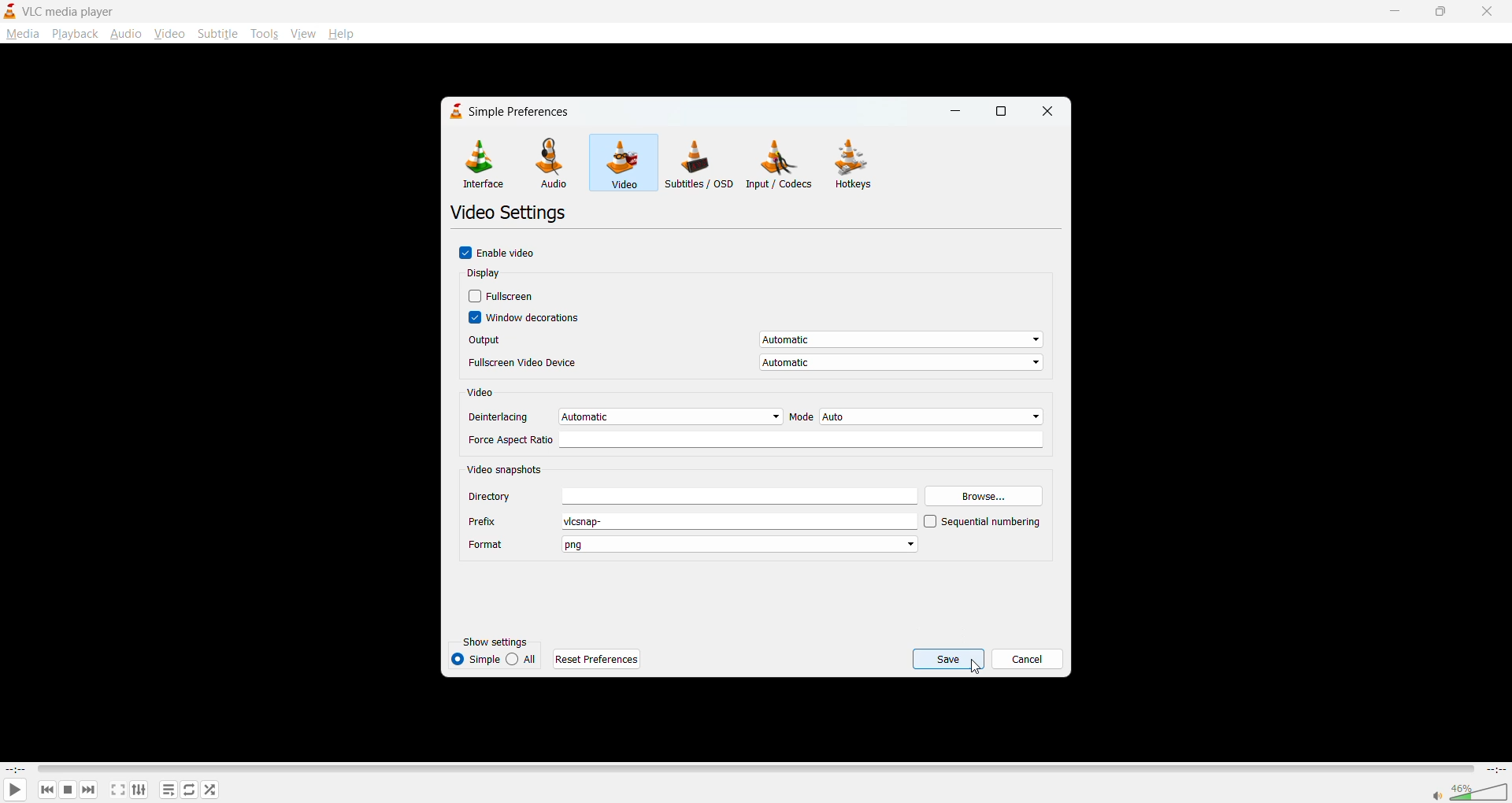 The image size is (1512, 803). What do you see at coordinates (599, 658) in the screenshot?
I see `reset preferences` at bounding box center [599, 658].